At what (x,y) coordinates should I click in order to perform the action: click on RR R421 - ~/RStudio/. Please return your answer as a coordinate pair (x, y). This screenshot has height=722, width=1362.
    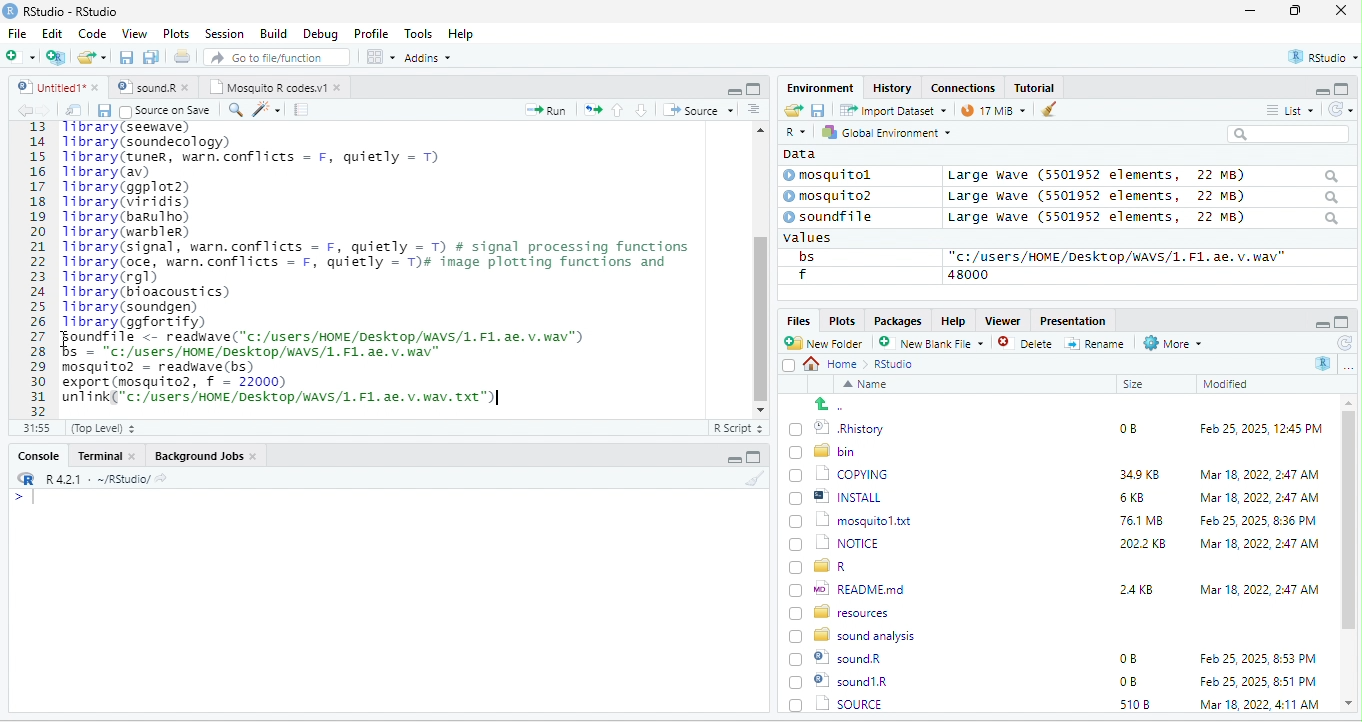
    Looking at the image, I should click on (87, 481).